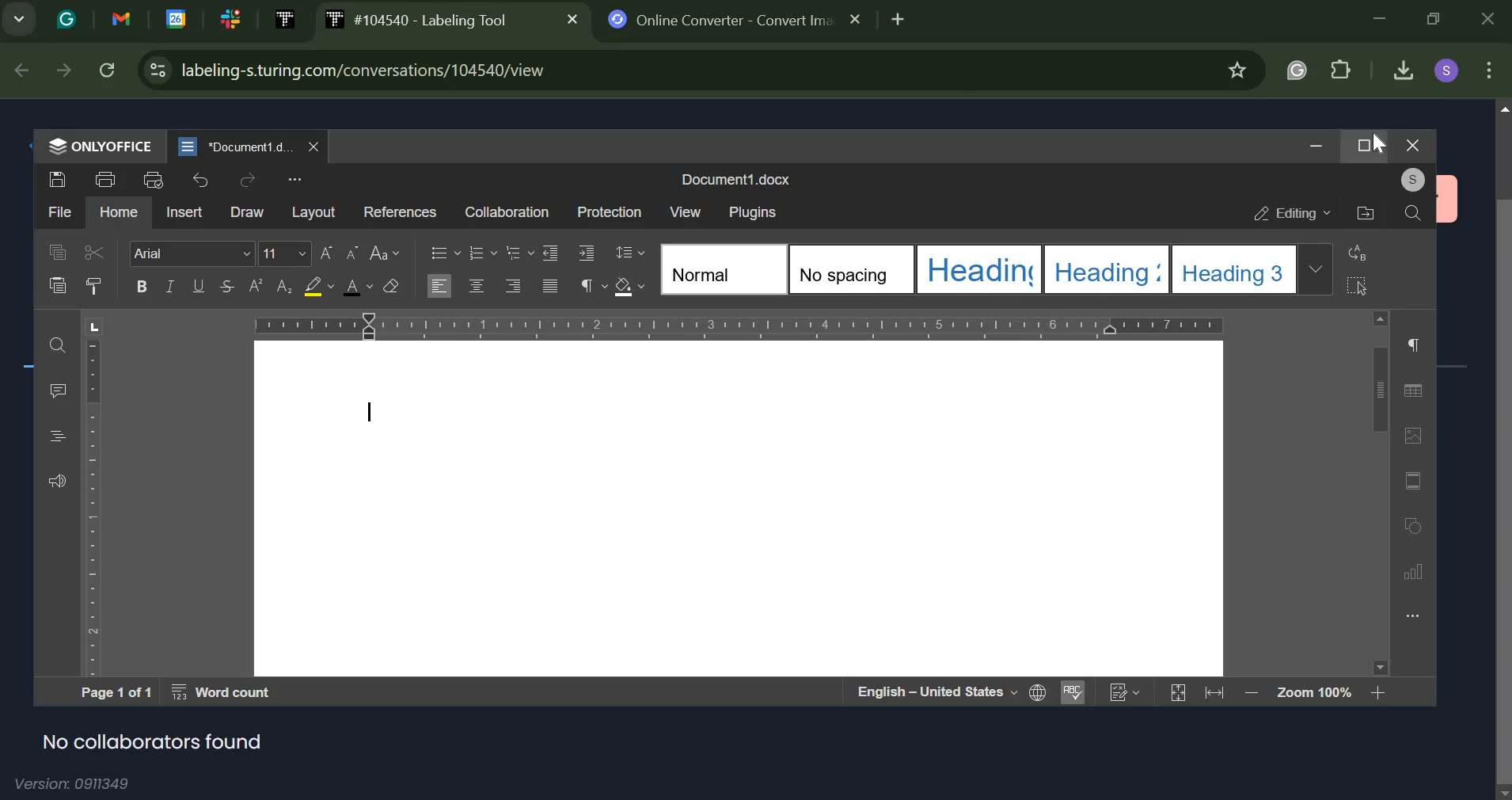 The height and width of the screenshot is (800, 1512). What do you see at coordinates (1489, 70) in the screenshot?
I see `more` at bounding box center [1489, 70].